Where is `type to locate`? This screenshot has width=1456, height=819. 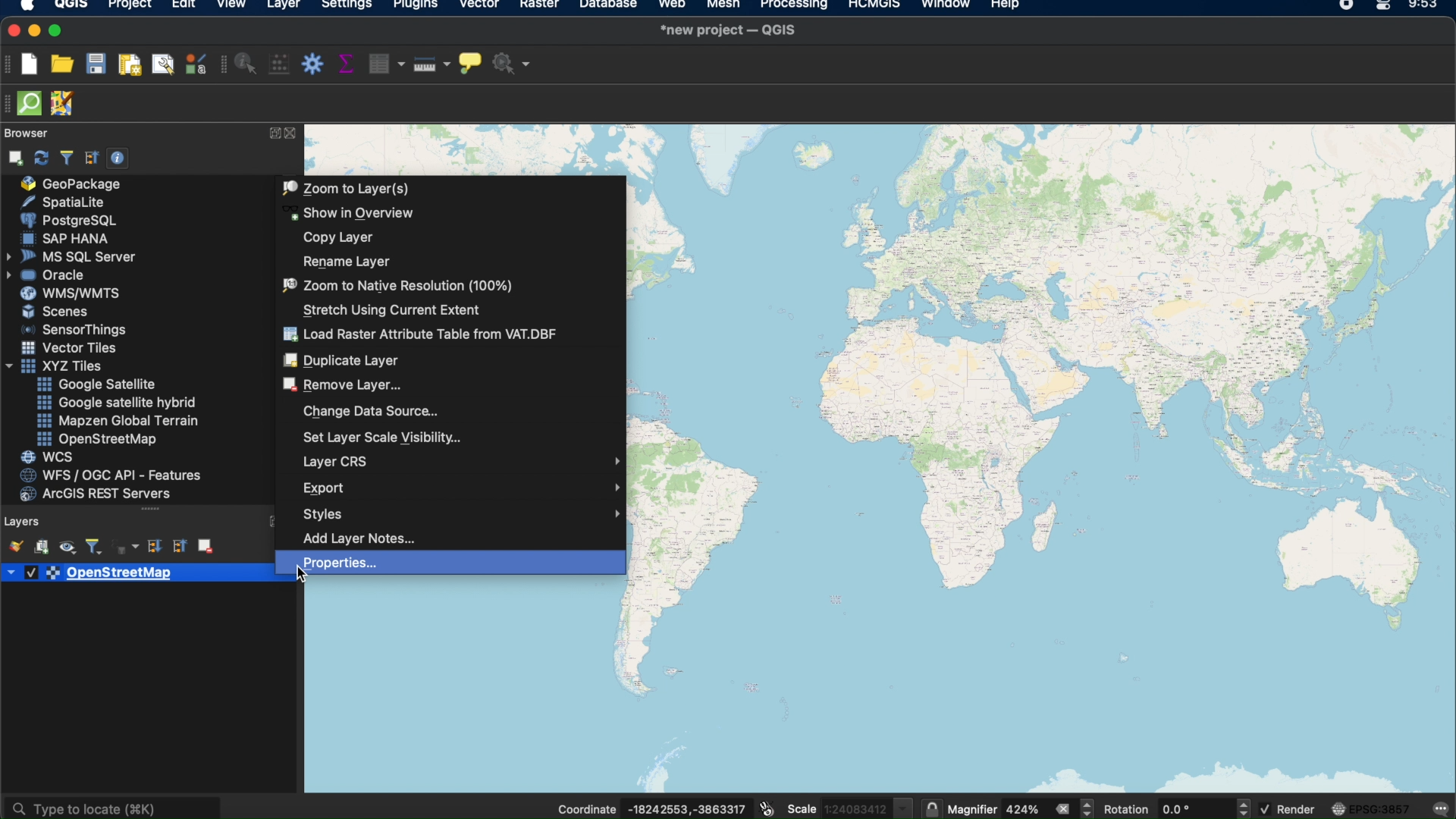
type to locate is located at coordinates (115, 804).